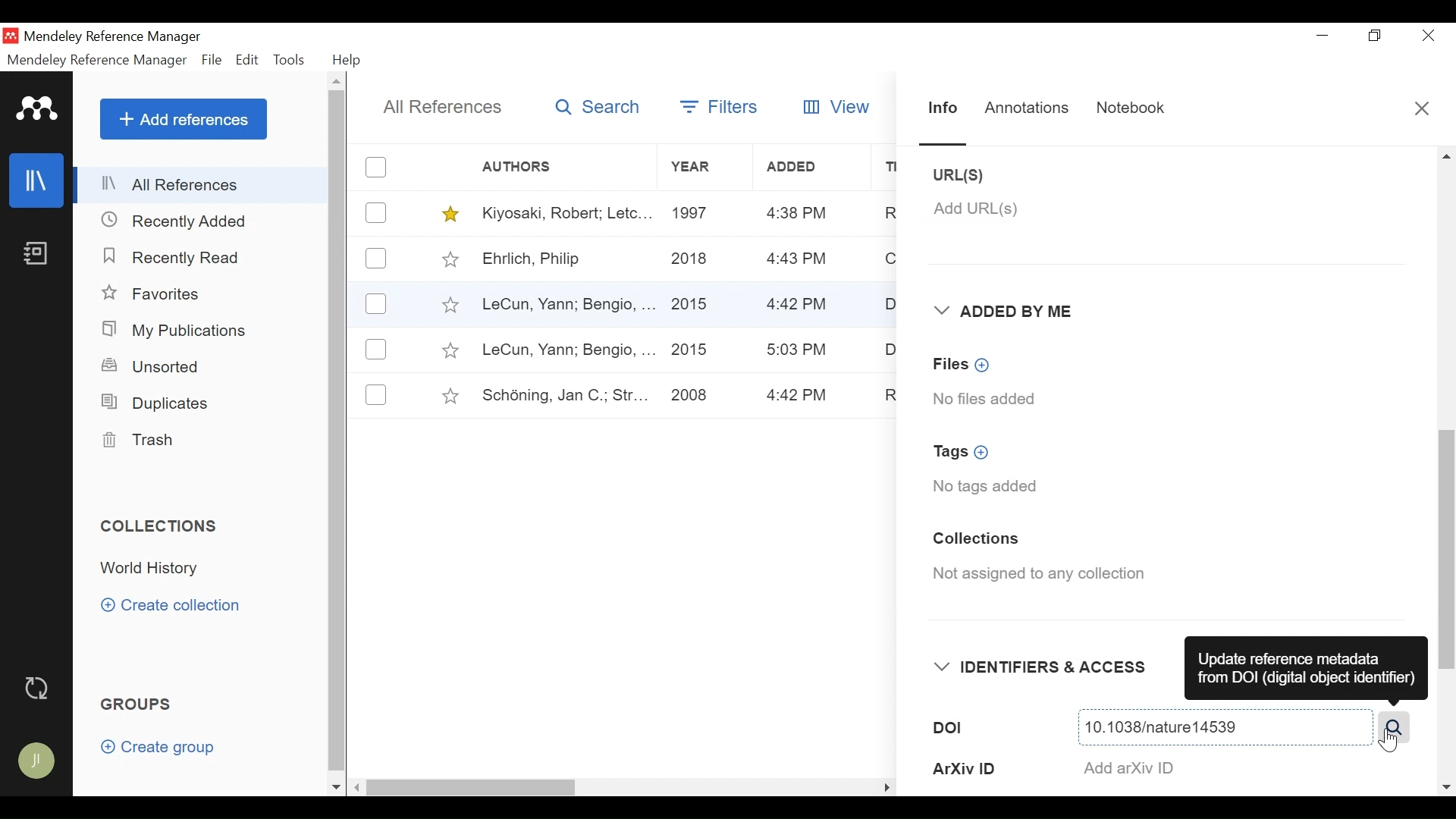 The image size is (1456, 819). I want to click on Update Reference metadata from DOI, so click(1307, 668).